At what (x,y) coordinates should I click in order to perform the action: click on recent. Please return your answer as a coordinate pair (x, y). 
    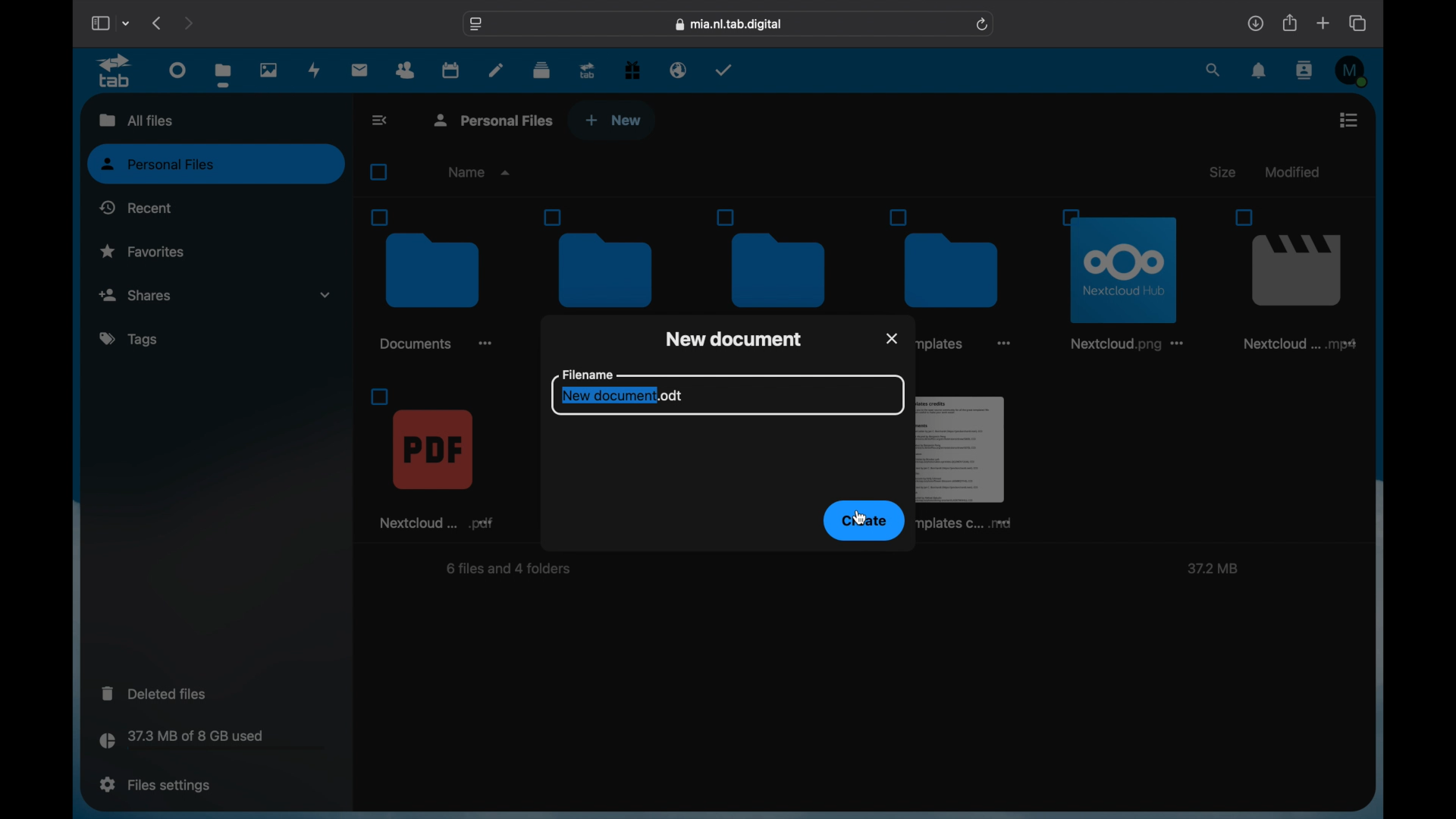
    Looking at the image, I should click on (136, 207).